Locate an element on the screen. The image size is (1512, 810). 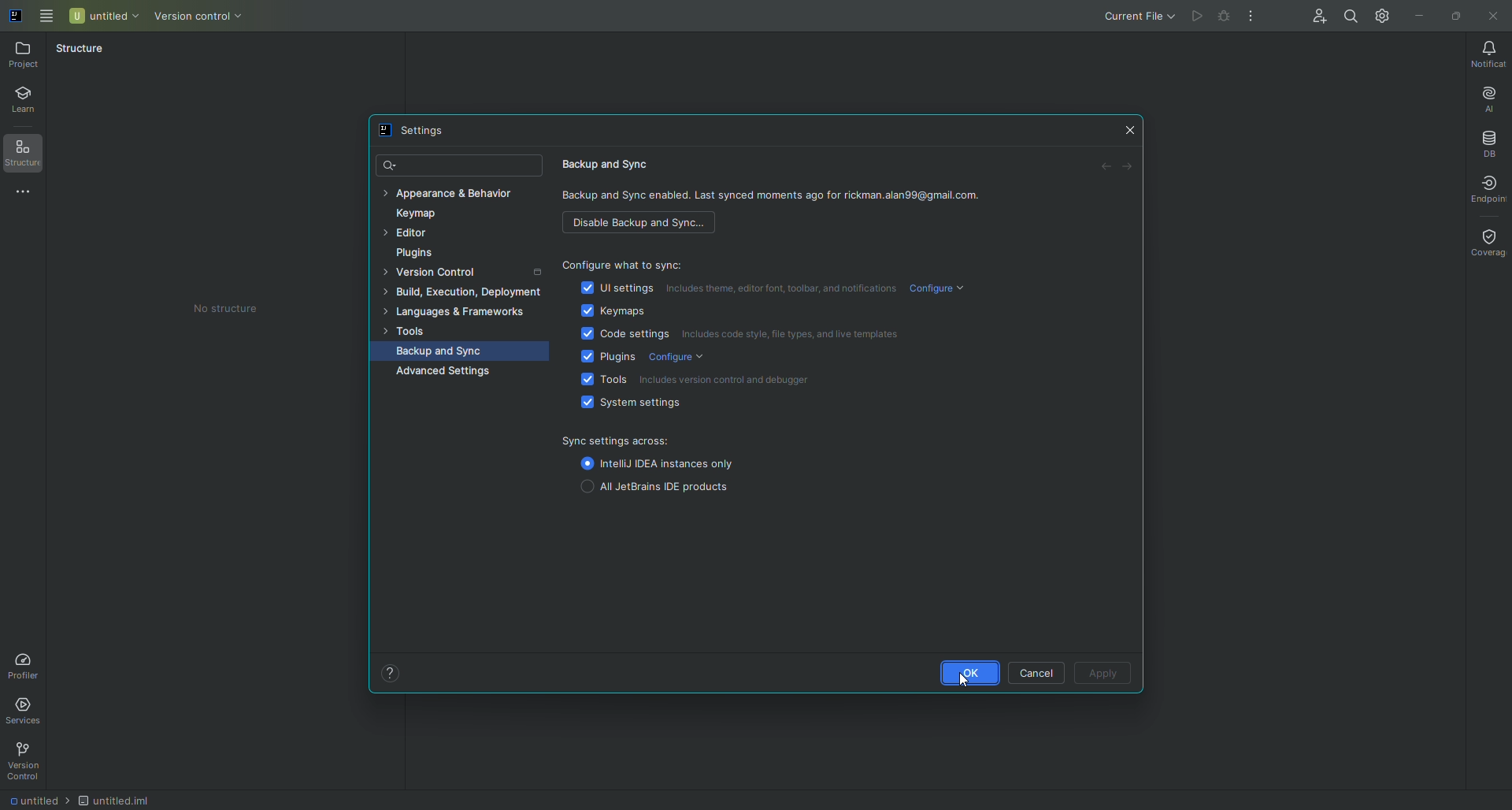
Backup and Sync is located at coordinates (618, 259).